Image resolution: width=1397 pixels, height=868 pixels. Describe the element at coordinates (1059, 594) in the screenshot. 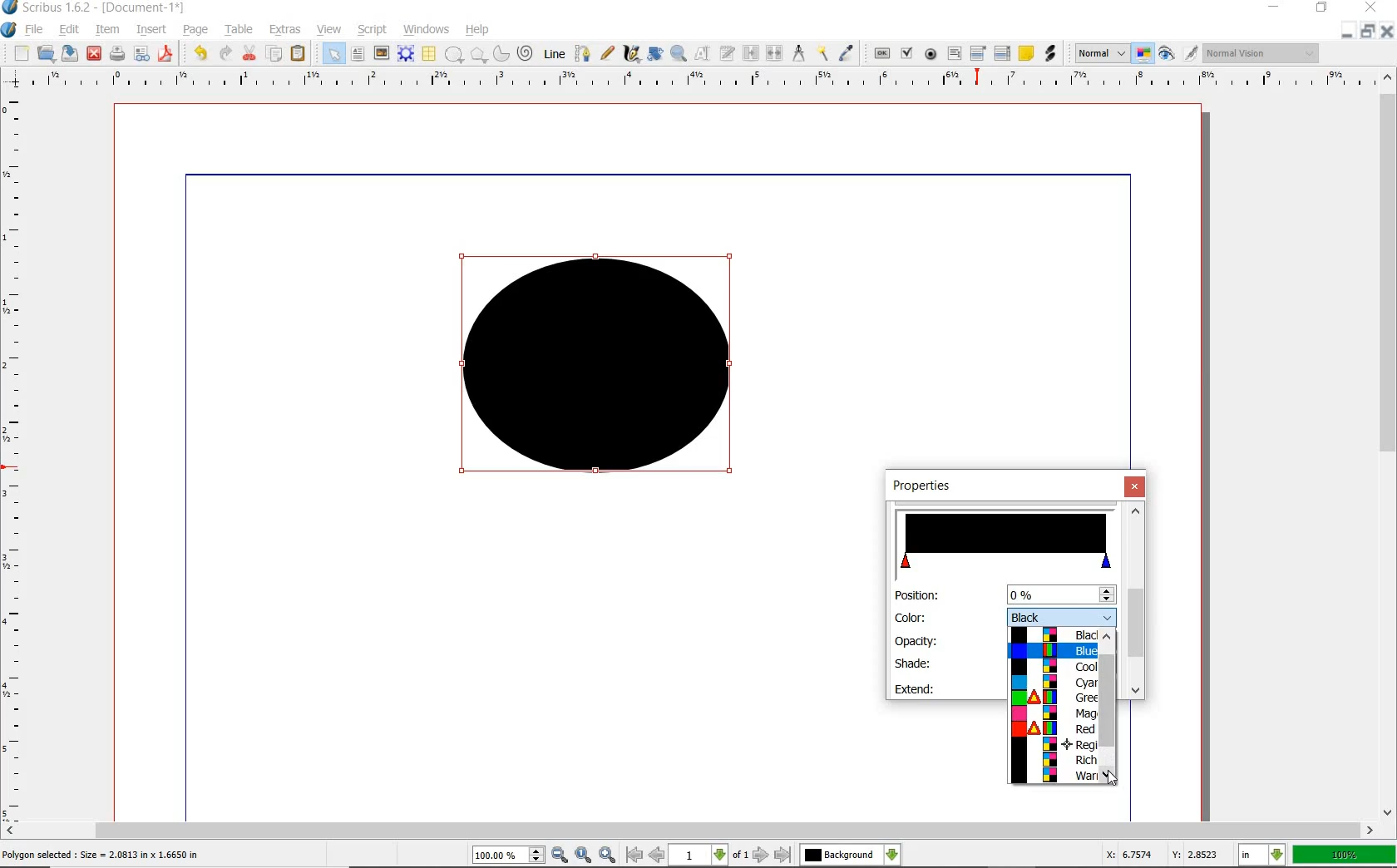

I see `position` at that location.